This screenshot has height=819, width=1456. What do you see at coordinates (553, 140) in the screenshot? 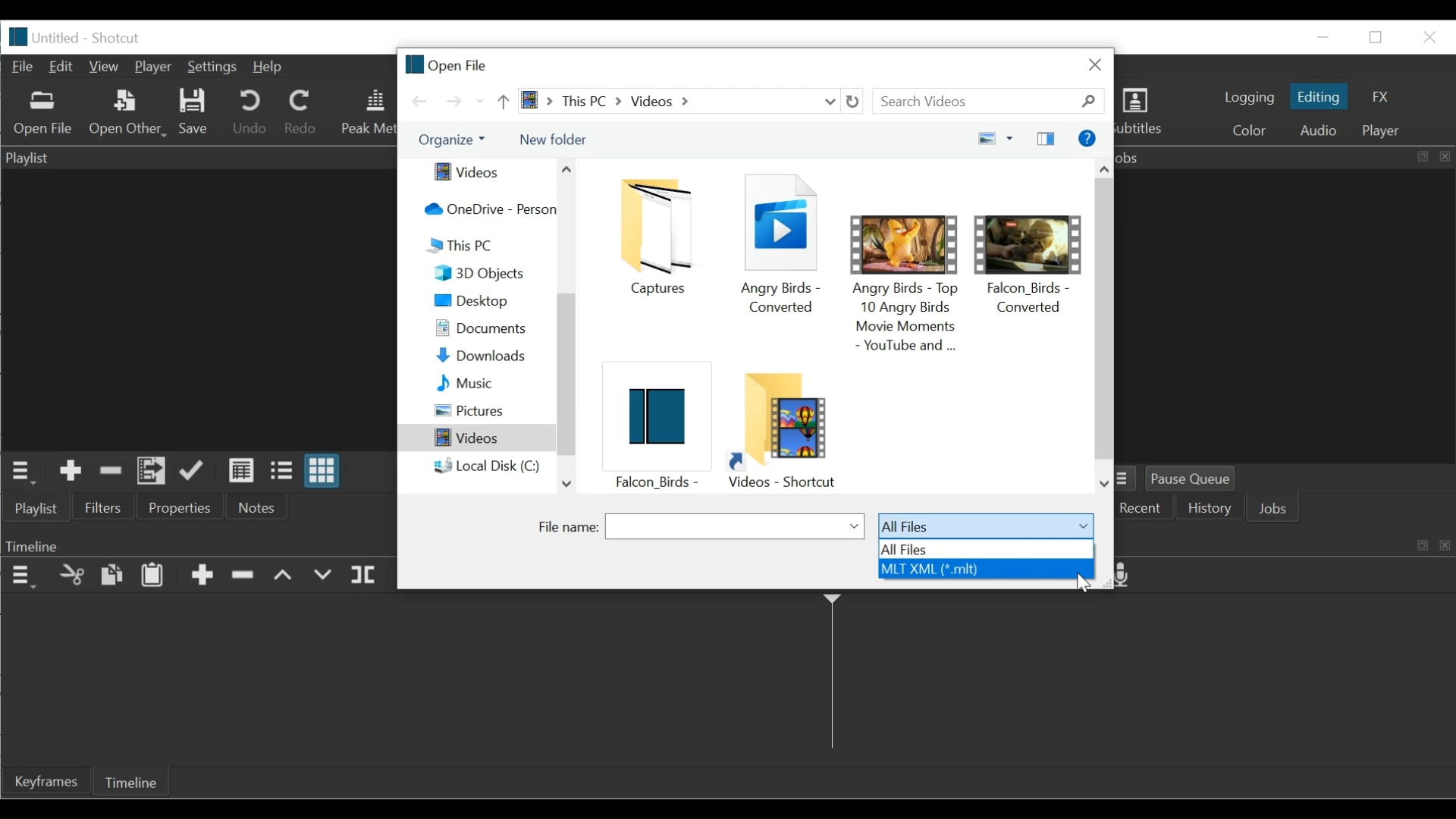
I see `New Folder` at bounding box center [553, 140].